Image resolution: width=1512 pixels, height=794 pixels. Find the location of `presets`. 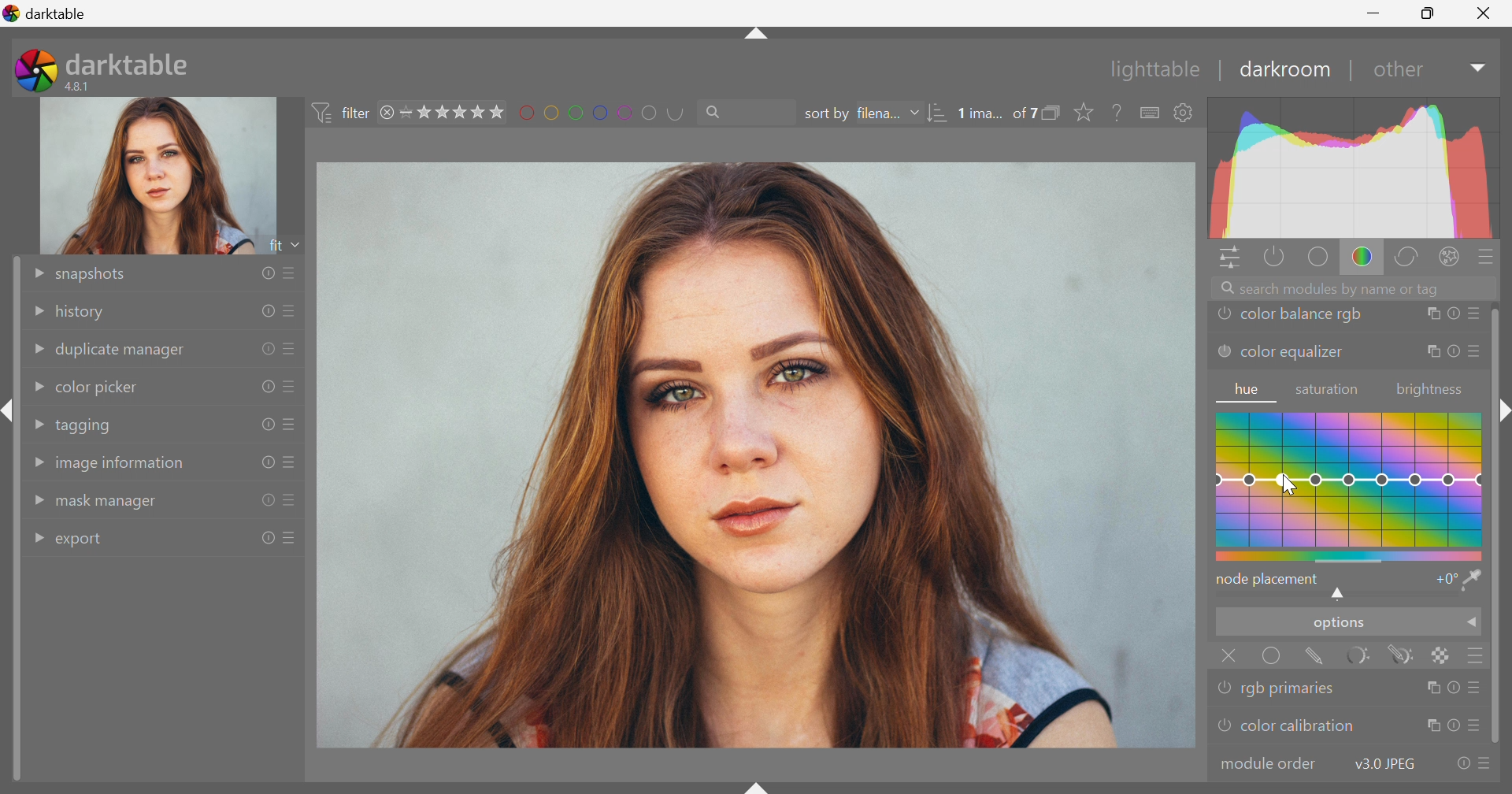

presets is located at coordinates (1475, 314).